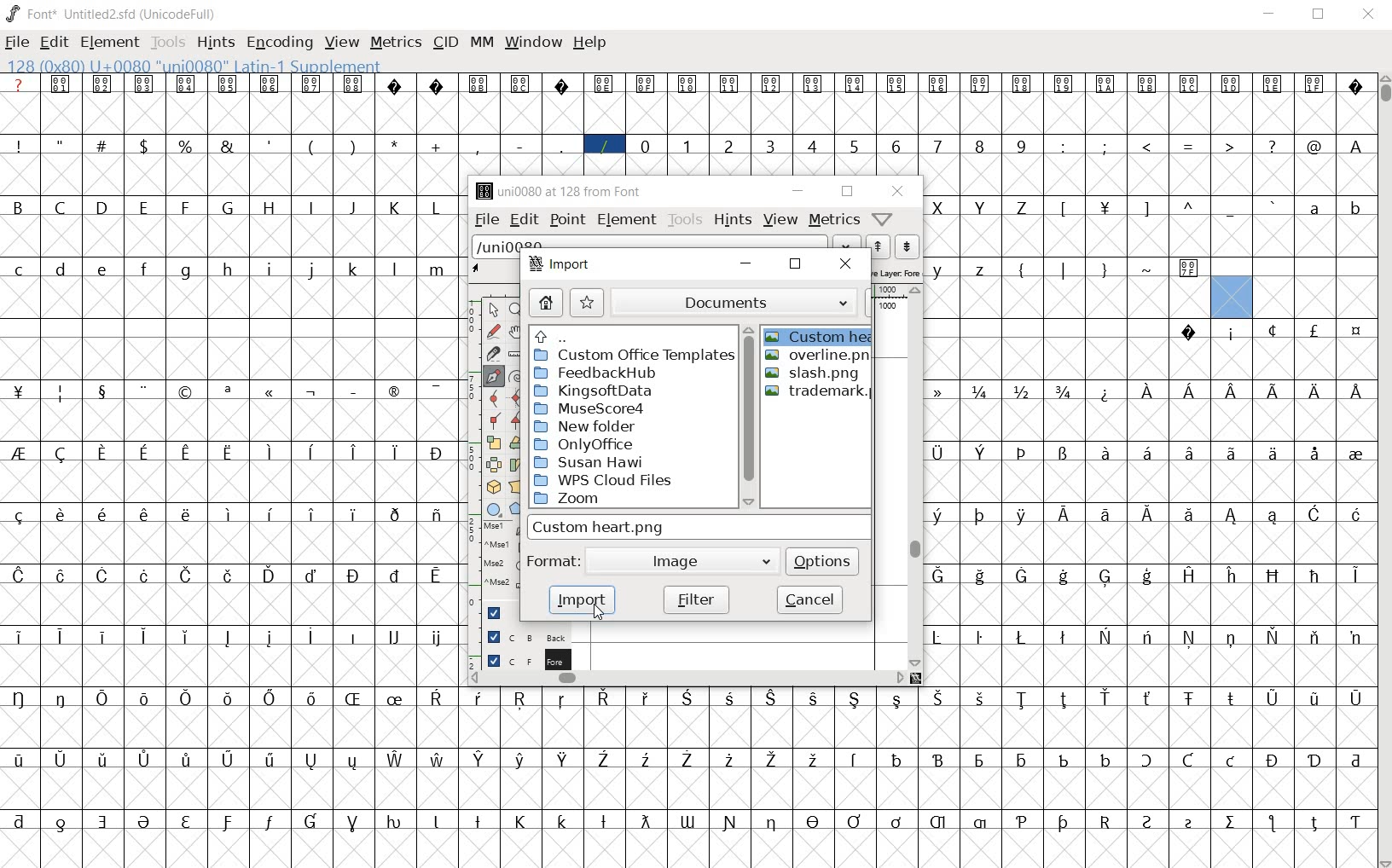 The height and width of the screenshot is (868, 1392). Describe the element at coordinates (1064, 391) in the screenshot. I see `glyph` at that location.